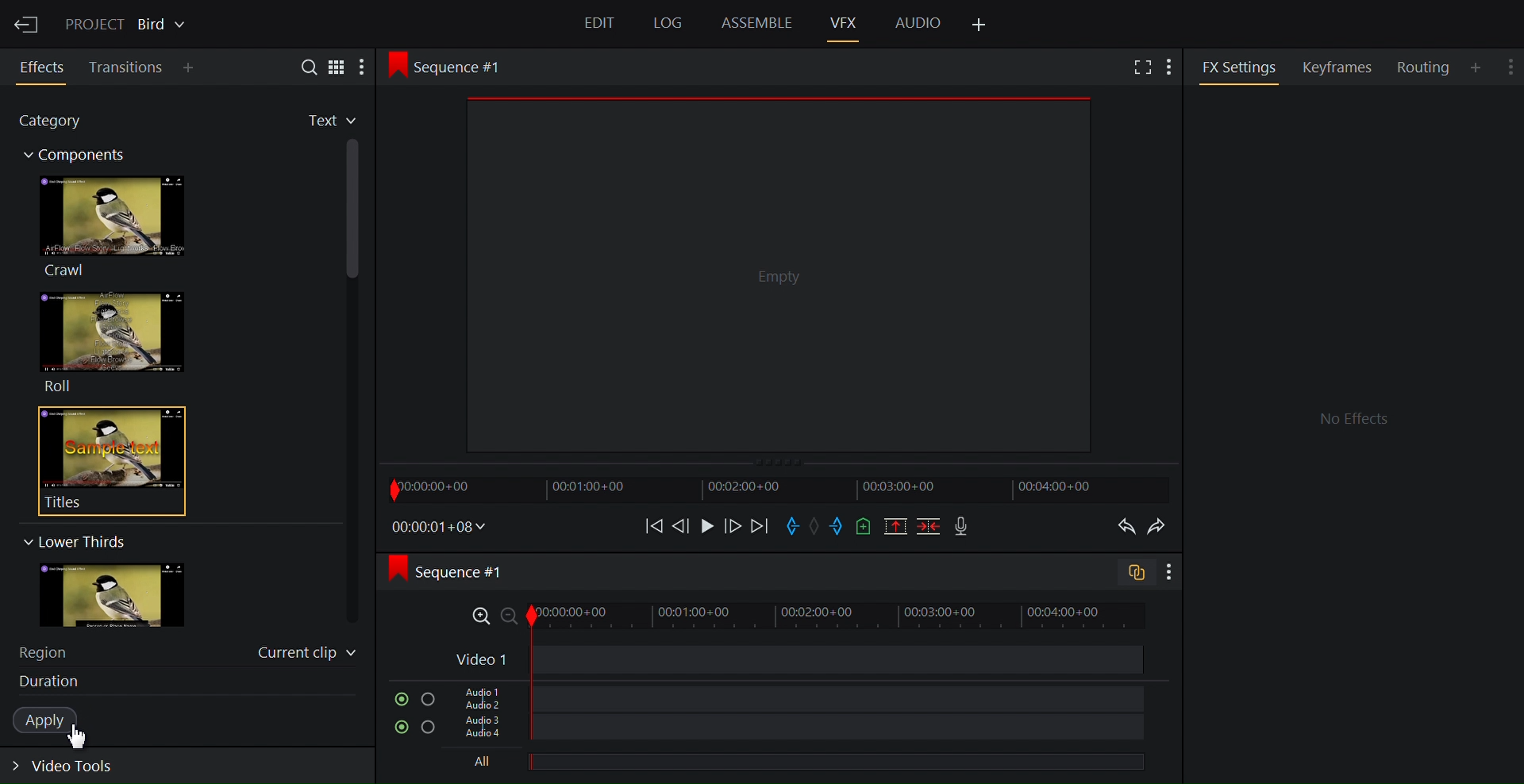 The height and width of the screenshot is (784, 1524). I want to click on Audio, so click(918, 21).